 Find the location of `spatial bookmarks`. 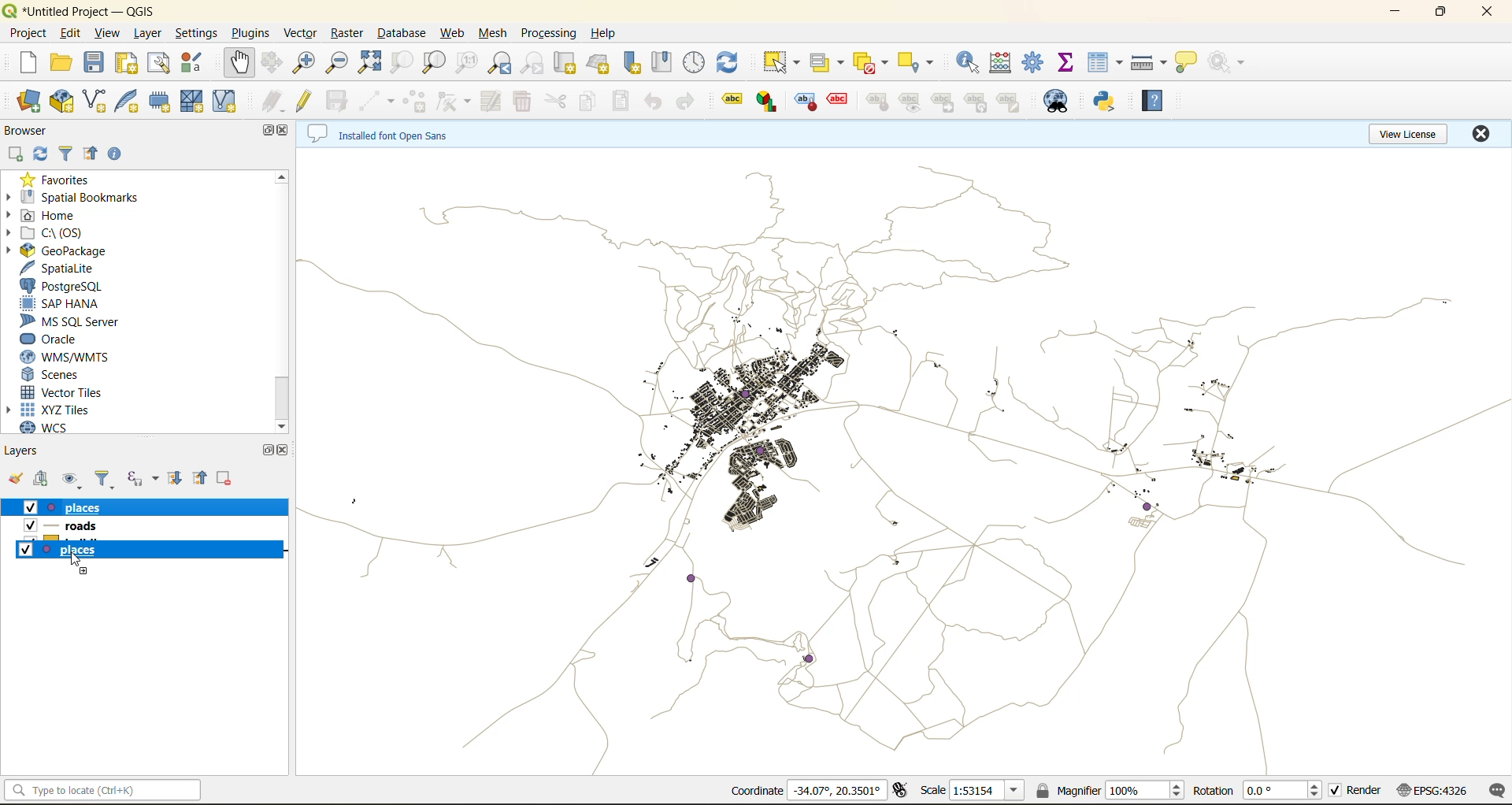

spatial bookmarks is located at coordinates (87, 199).